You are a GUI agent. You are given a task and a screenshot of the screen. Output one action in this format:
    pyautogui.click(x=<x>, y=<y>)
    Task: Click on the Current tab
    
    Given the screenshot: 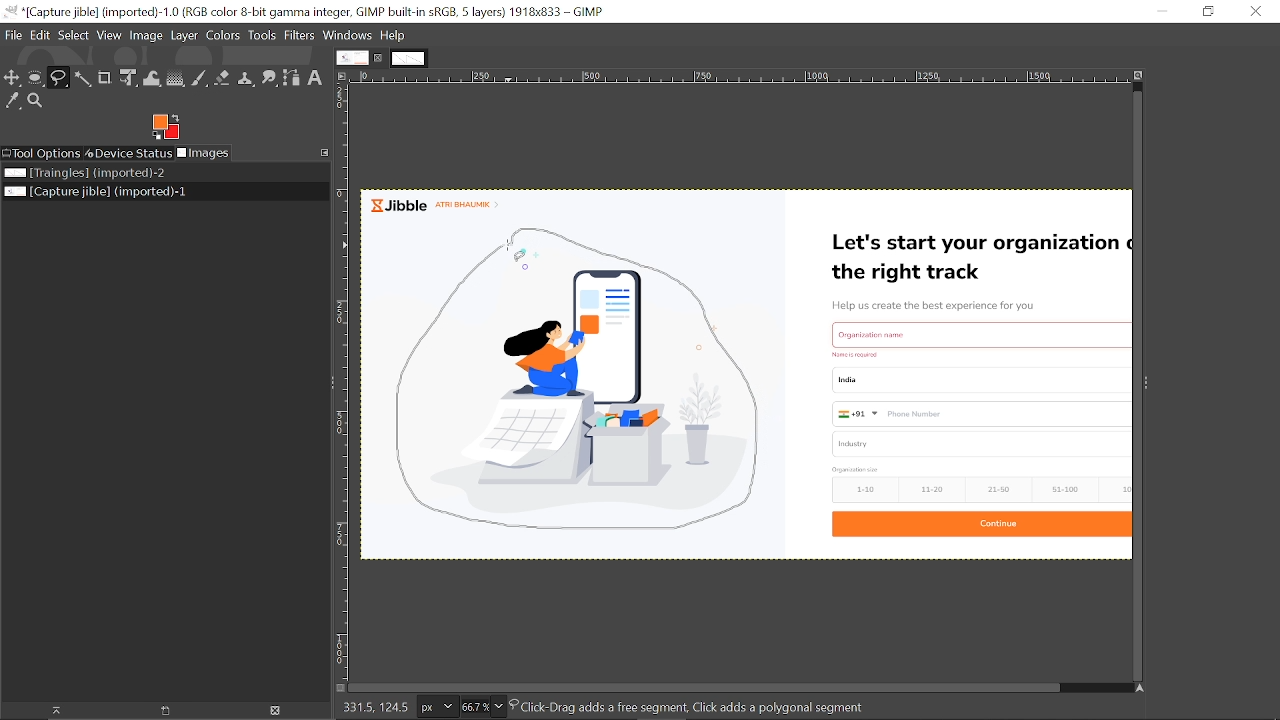 What is the action you would take?
    pyautogui.click(x=352, y=57)
    